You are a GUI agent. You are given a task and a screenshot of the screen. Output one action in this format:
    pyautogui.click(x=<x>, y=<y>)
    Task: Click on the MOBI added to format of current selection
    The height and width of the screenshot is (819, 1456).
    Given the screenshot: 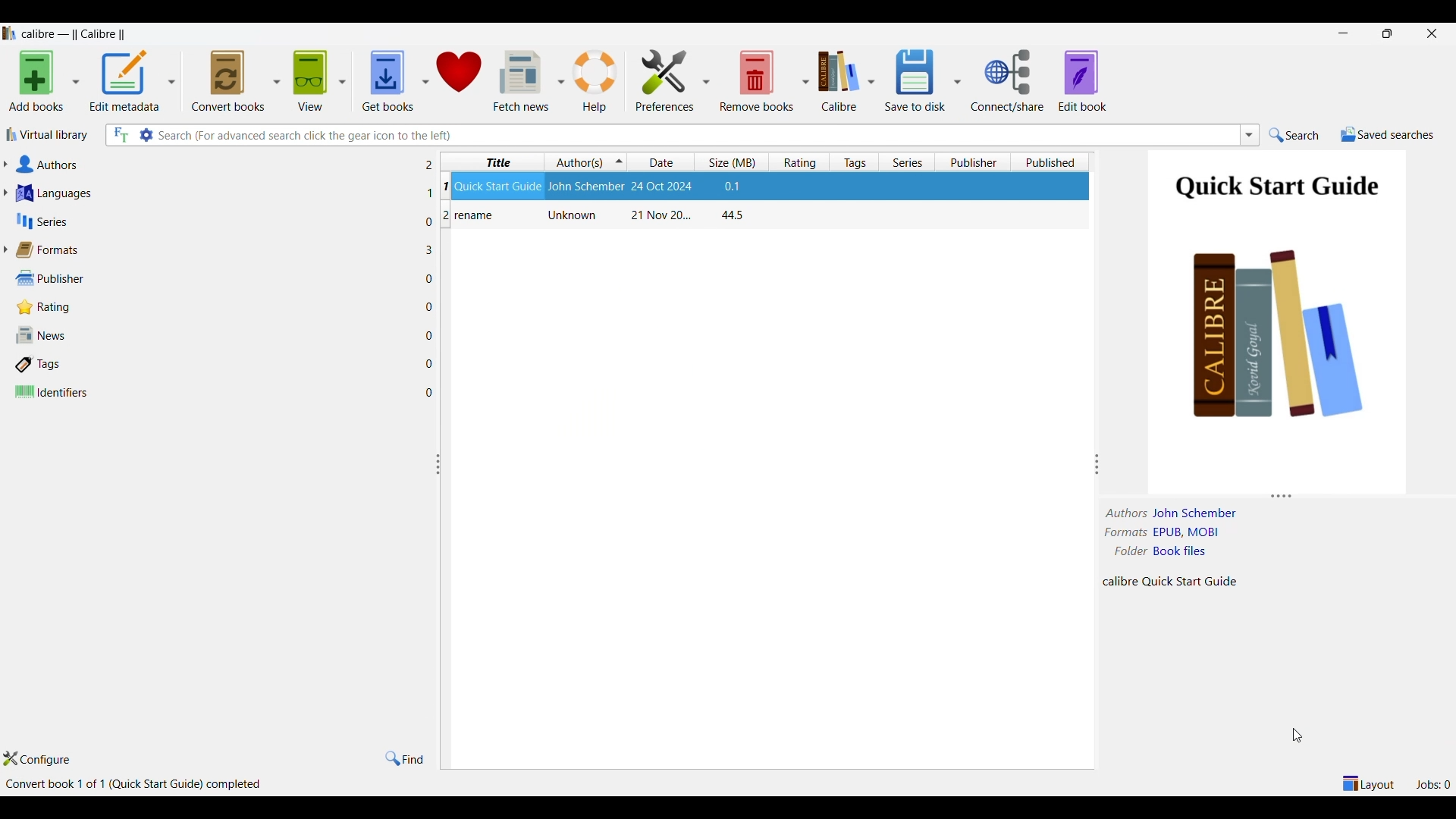 What is the action you would take?
    pyautogui.click(x=1187, y=532)
    